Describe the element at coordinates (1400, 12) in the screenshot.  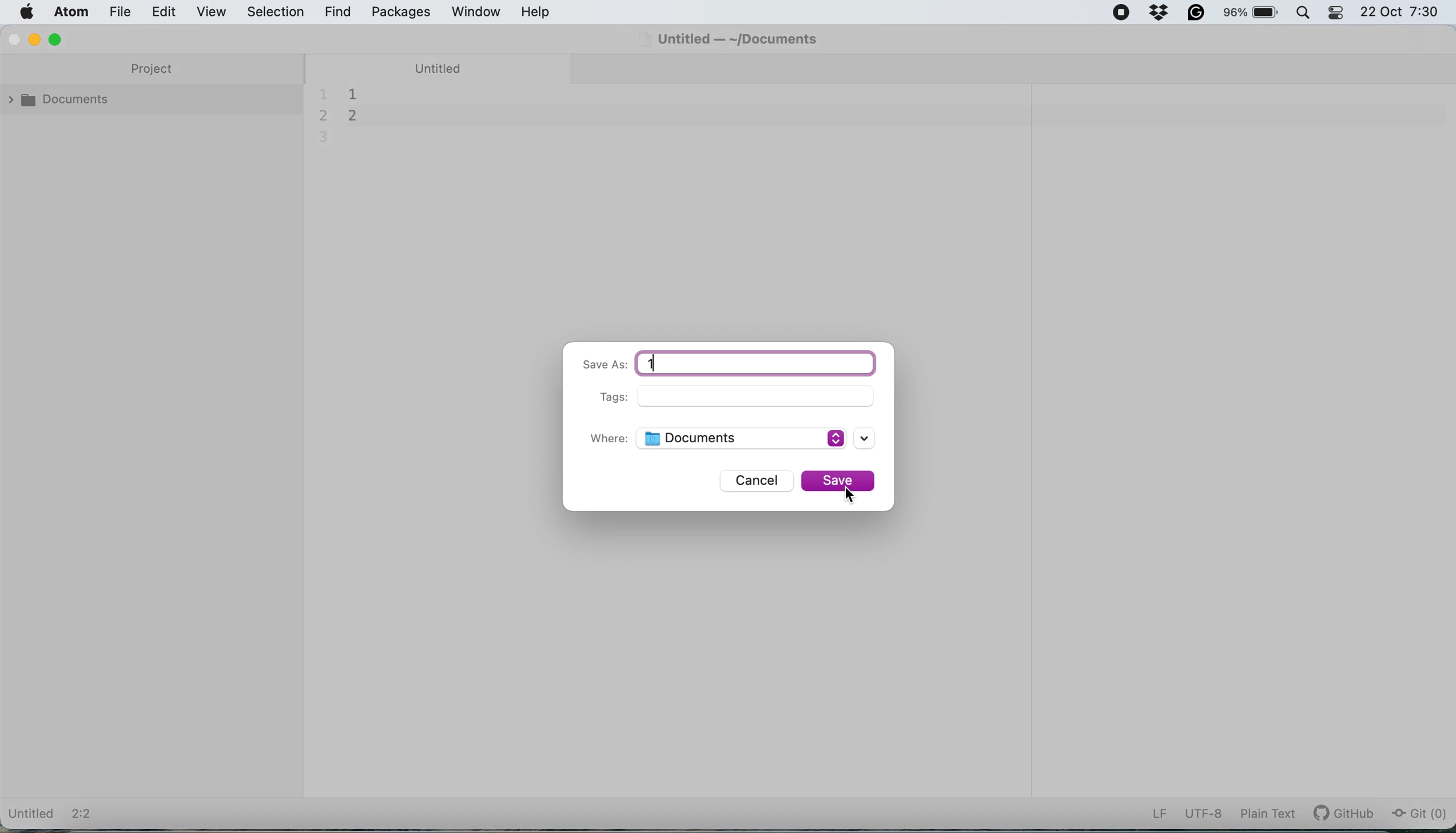
I see `22 Oct 7:30` at that location.